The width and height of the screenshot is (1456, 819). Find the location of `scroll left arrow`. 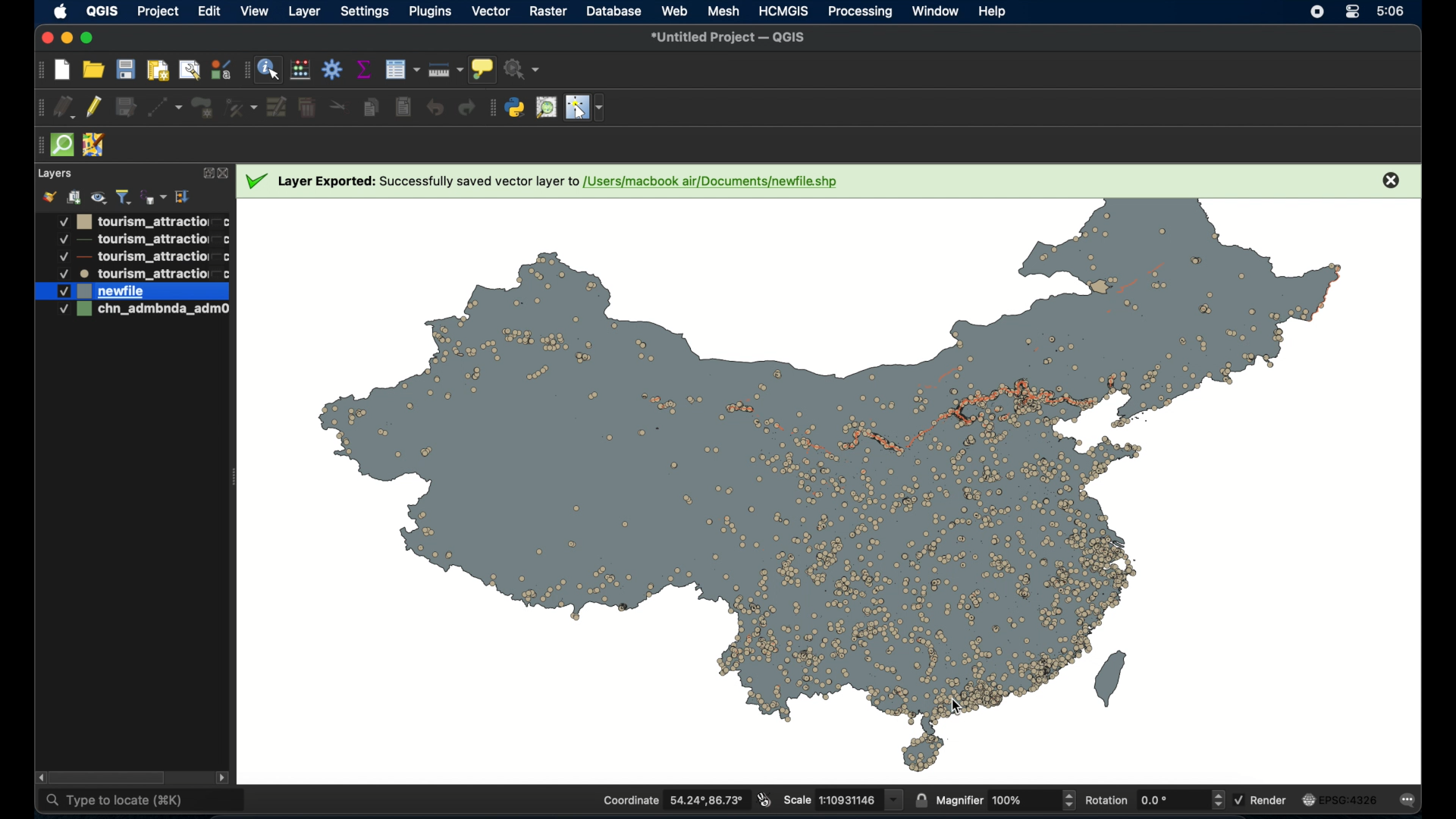

scroll left arrow is located at coordinates (42, 778).